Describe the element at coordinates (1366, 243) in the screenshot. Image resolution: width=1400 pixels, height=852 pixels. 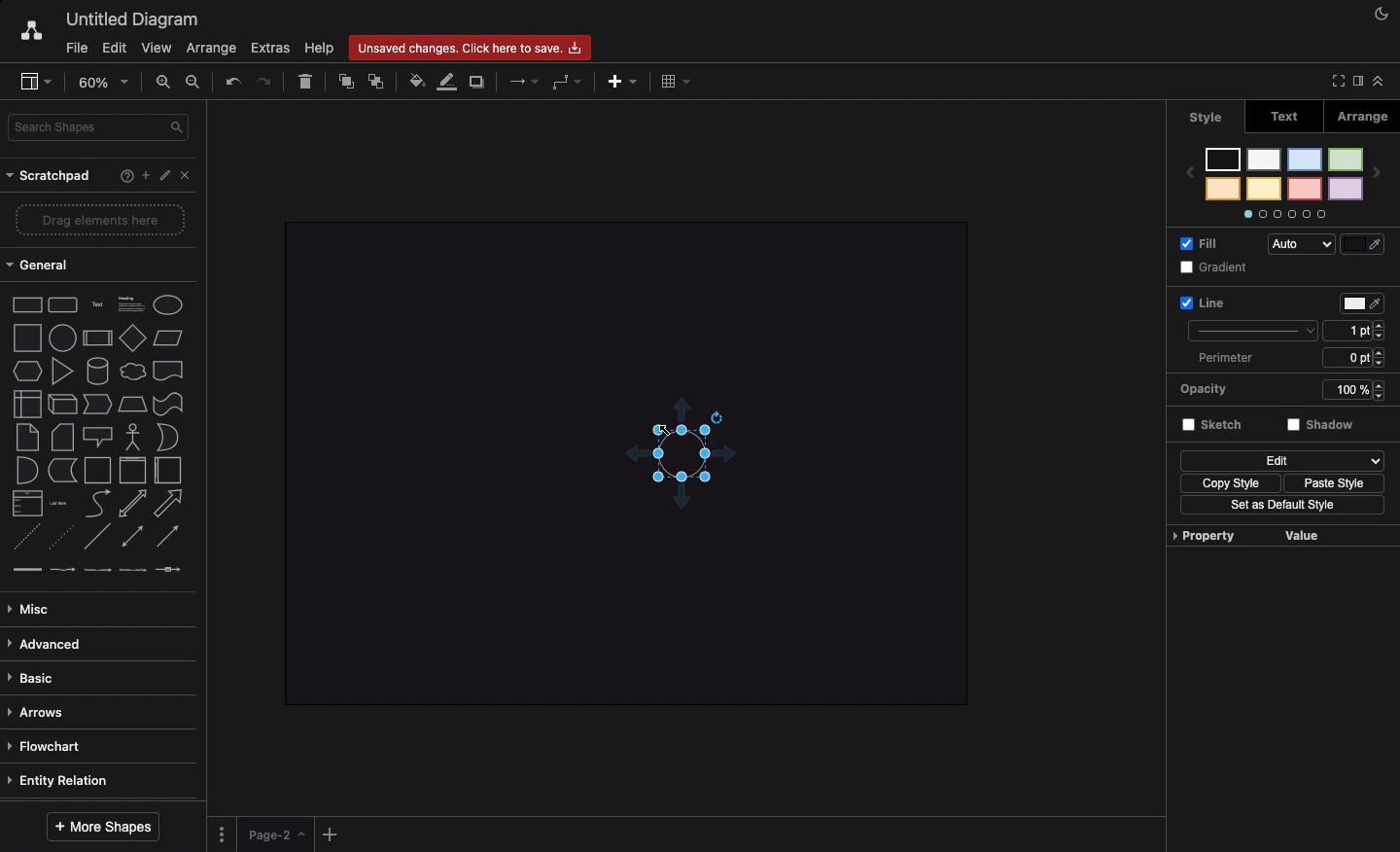
I see `Fill` at that location.